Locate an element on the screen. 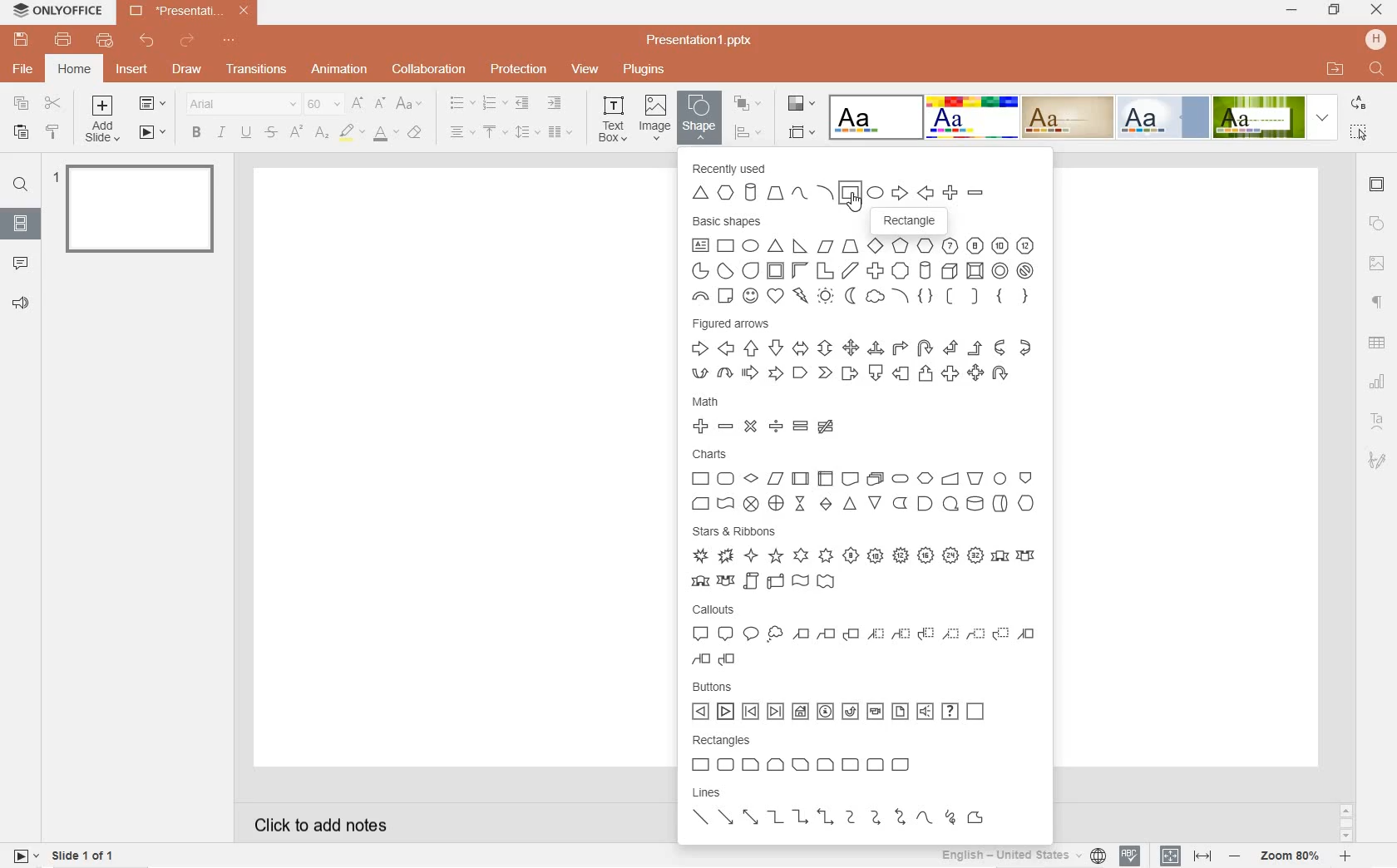 Image resolution: width=1397 pixels, height=868 pixels. view is located at coordinates (585, 70).